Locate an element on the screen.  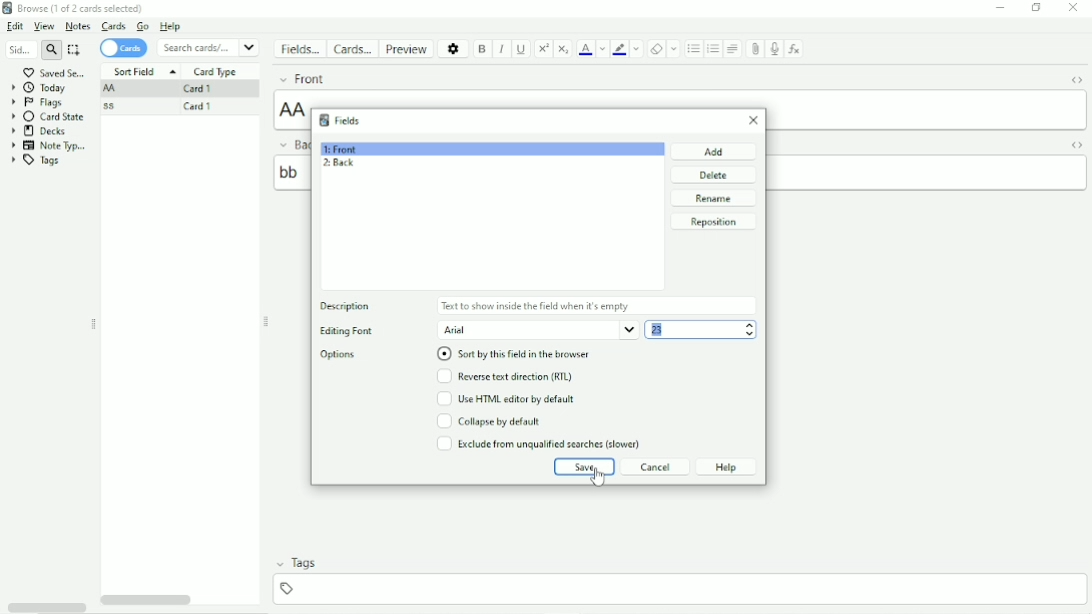
Text color is located at coordinates (585, 48).